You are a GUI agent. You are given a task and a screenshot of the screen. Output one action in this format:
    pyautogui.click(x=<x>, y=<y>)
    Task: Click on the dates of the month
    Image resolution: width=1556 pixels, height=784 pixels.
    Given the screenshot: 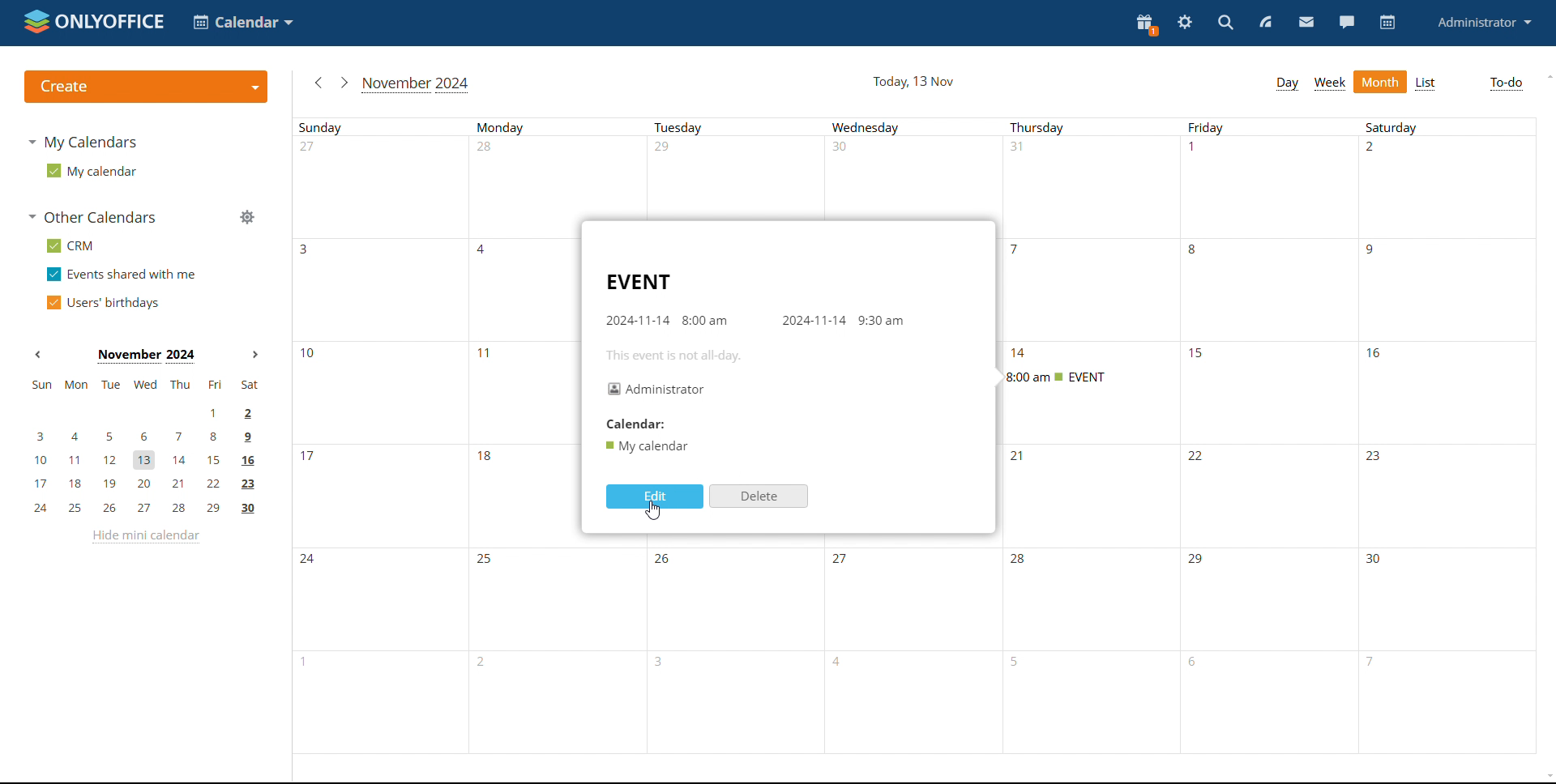 What is the action you would take?
    pyautogui.click(x=432, y=289)
    